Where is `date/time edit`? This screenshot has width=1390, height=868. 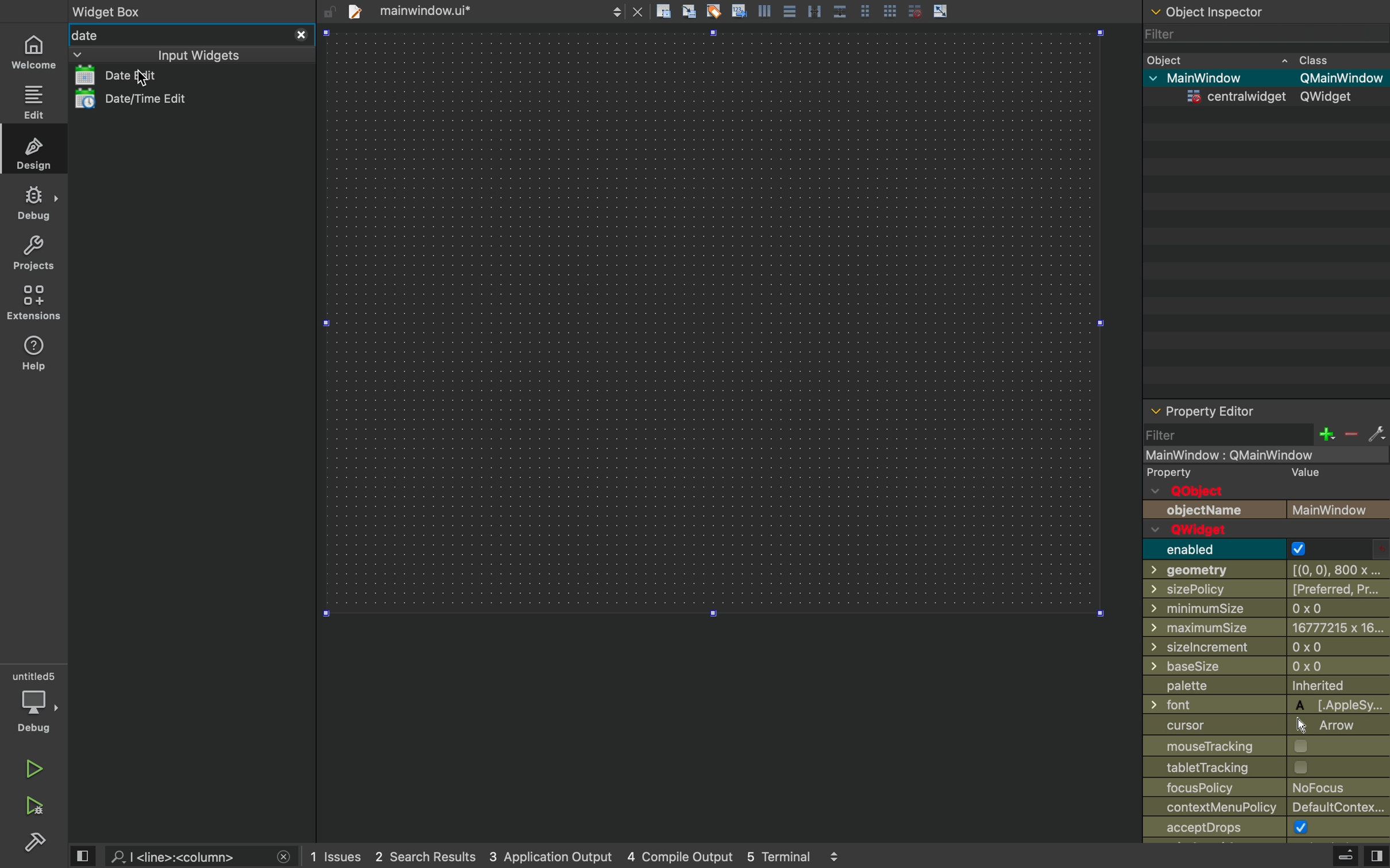
date/time edit is located at coordinates (155, 99).